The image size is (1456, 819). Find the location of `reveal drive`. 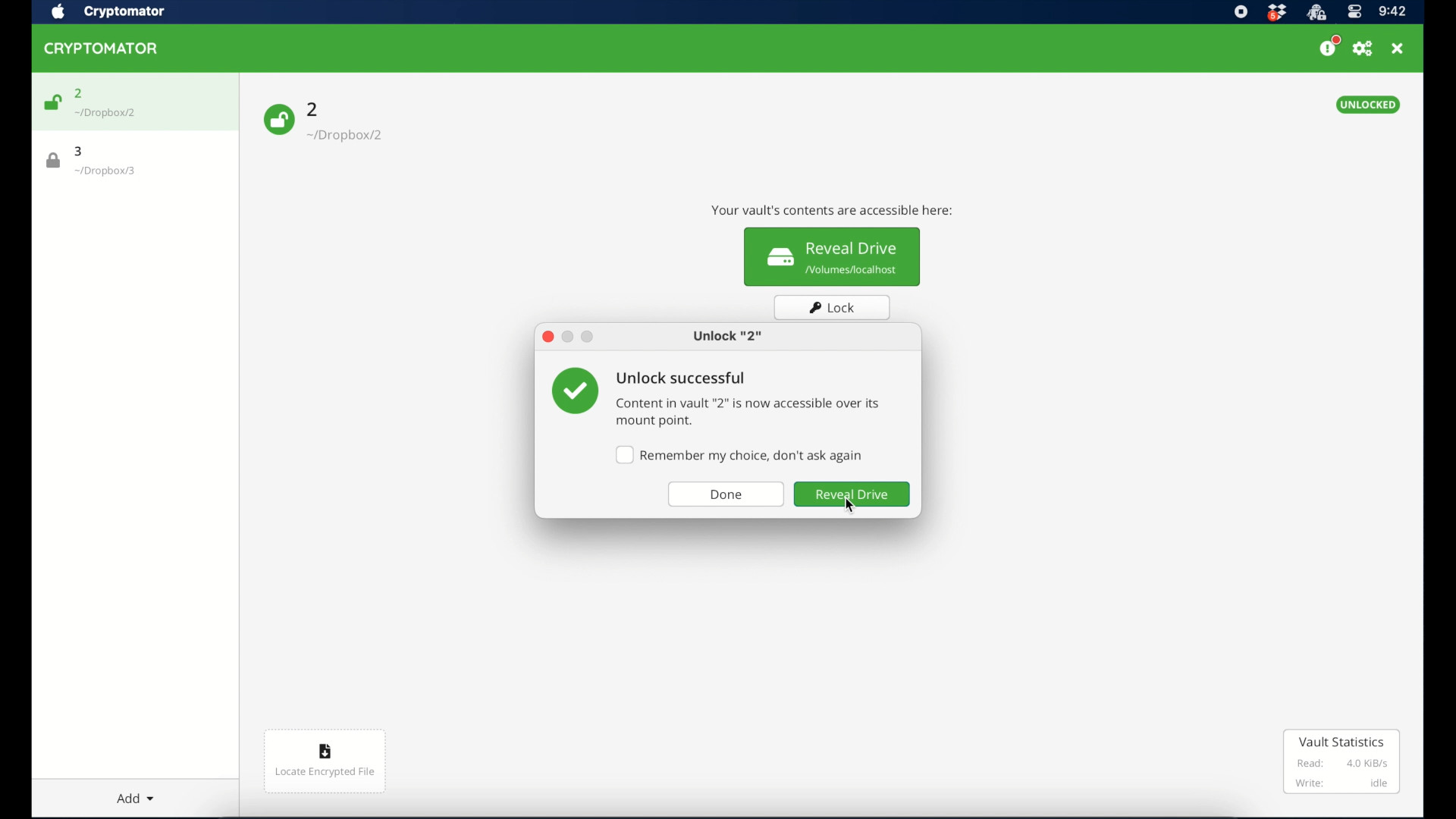

reveal drive is located at coordinates (852, 494).